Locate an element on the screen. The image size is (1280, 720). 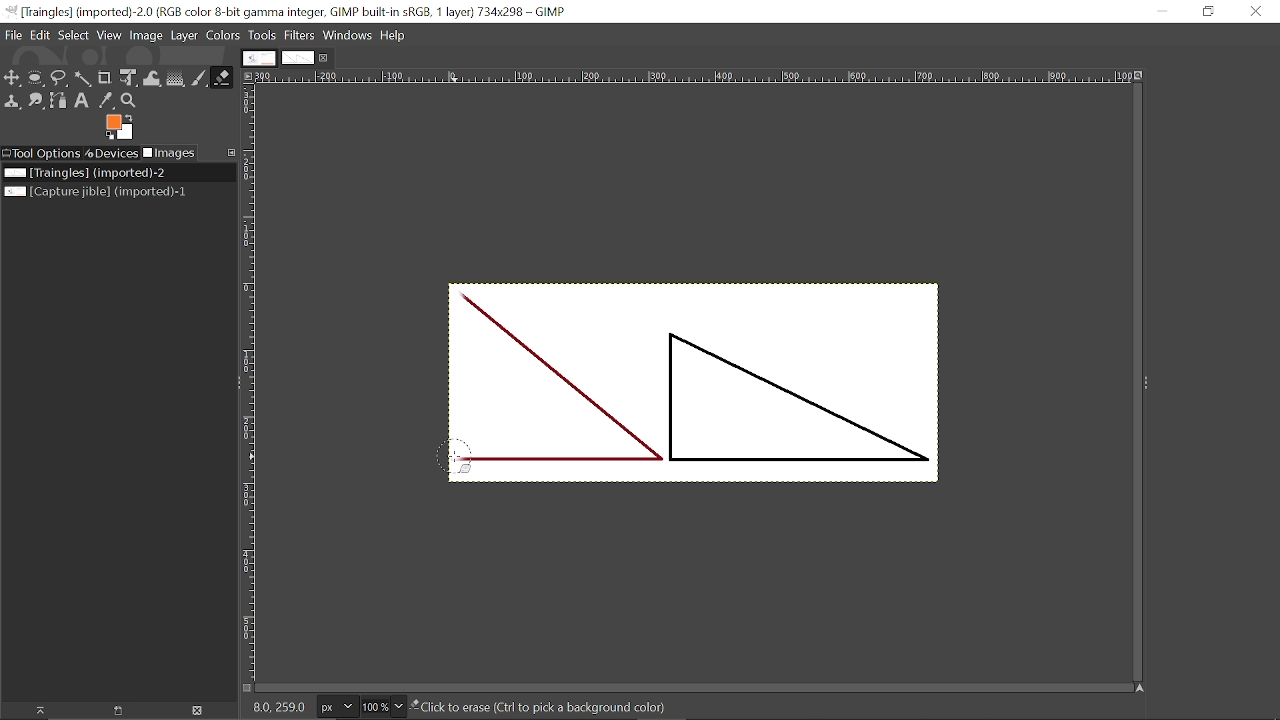
Configure this tab is located at coordinates (229, 154).